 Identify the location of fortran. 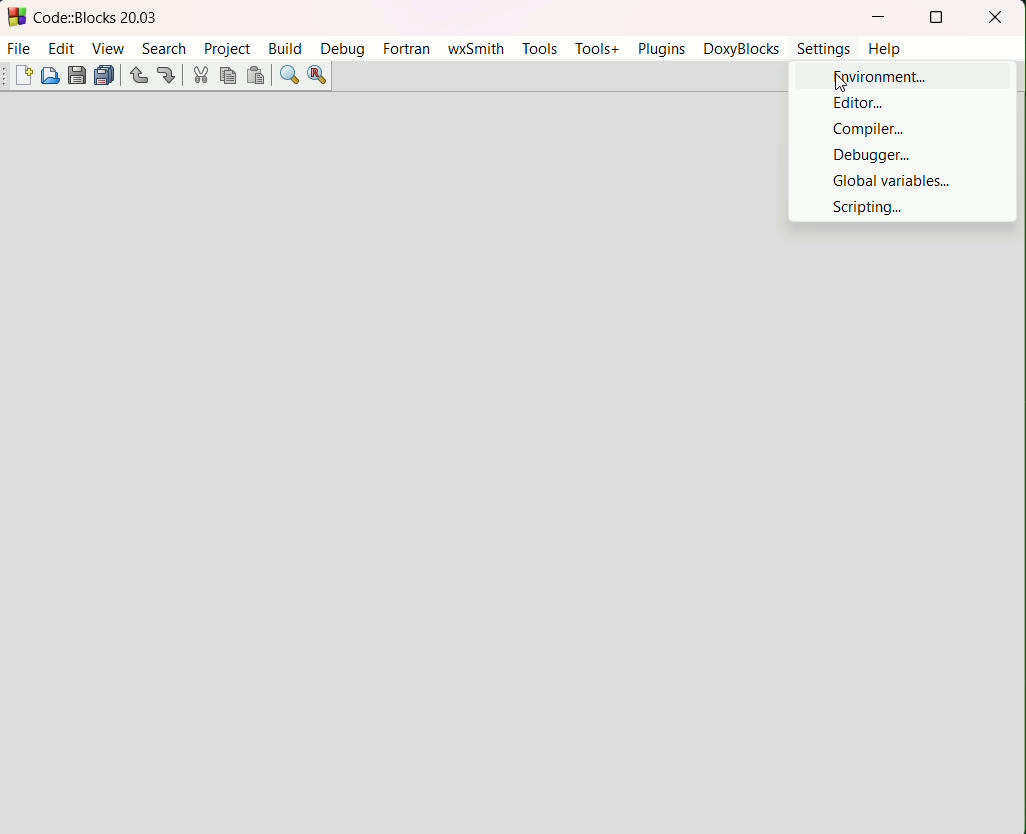
(406, 48).